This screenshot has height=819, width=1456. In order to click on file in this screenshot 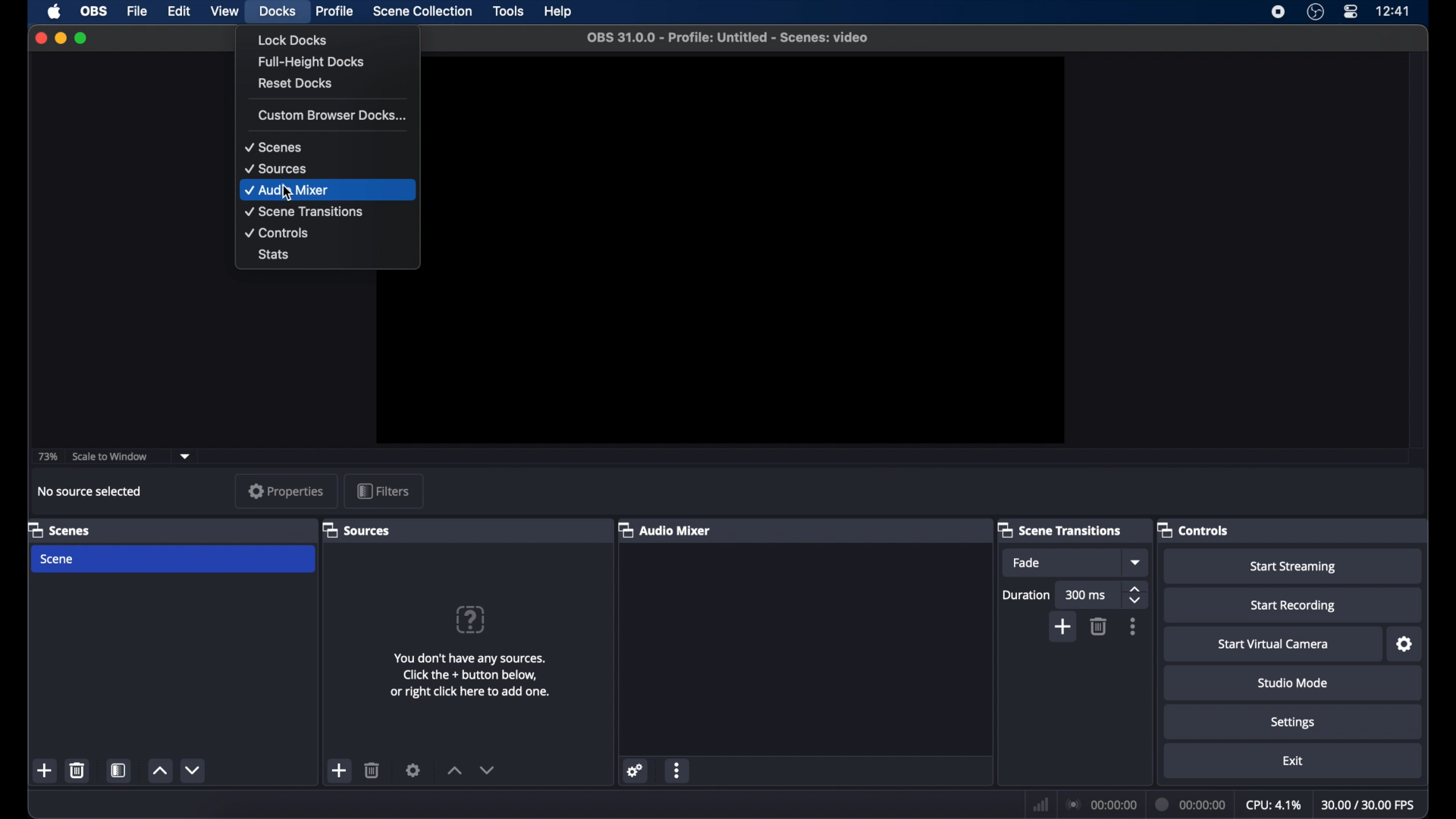, I will do `click(137, 11)`.